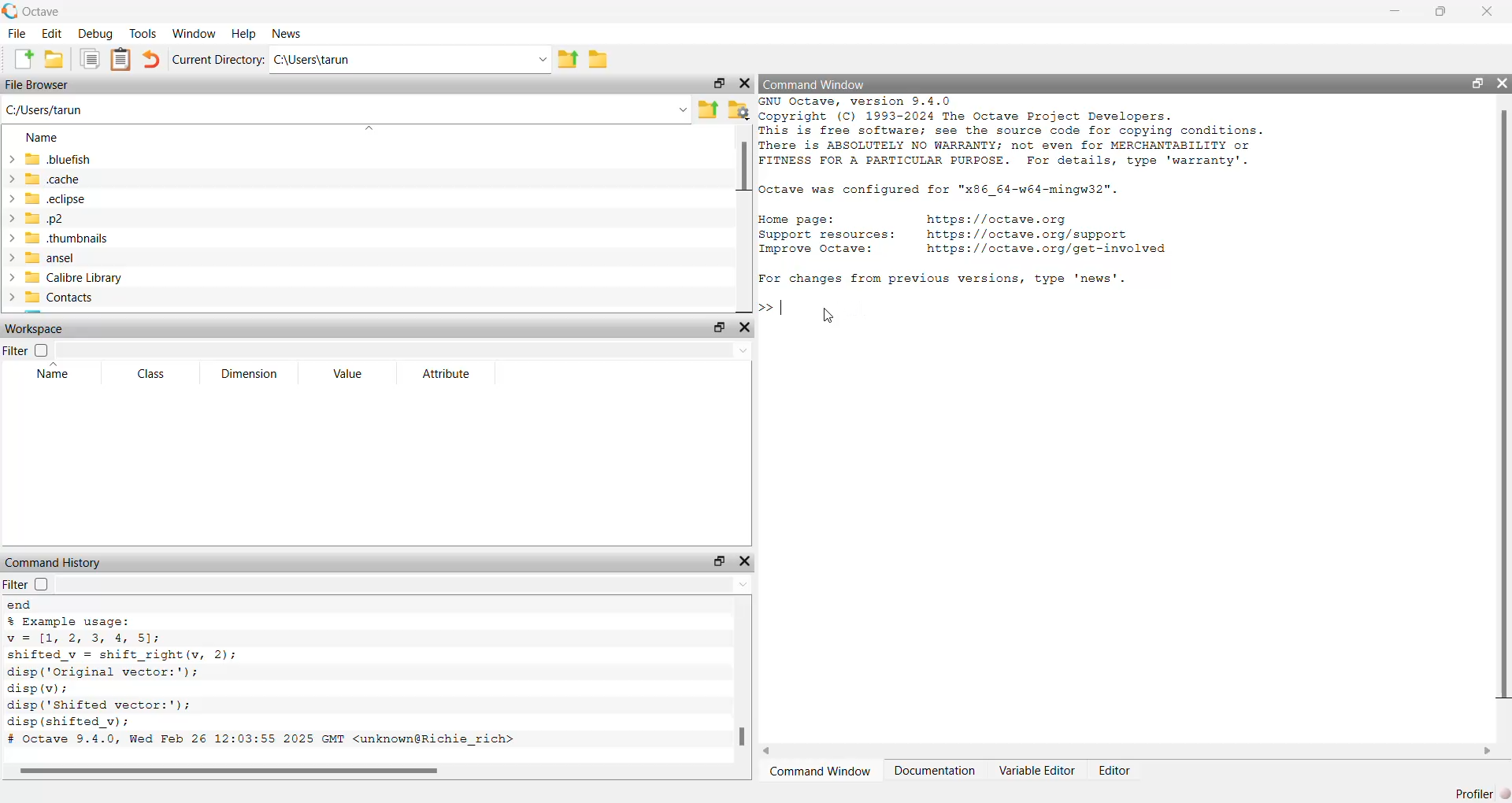 The width and height of the screenshot is (1512, 803). I want to click on new script, so click(18, 61).